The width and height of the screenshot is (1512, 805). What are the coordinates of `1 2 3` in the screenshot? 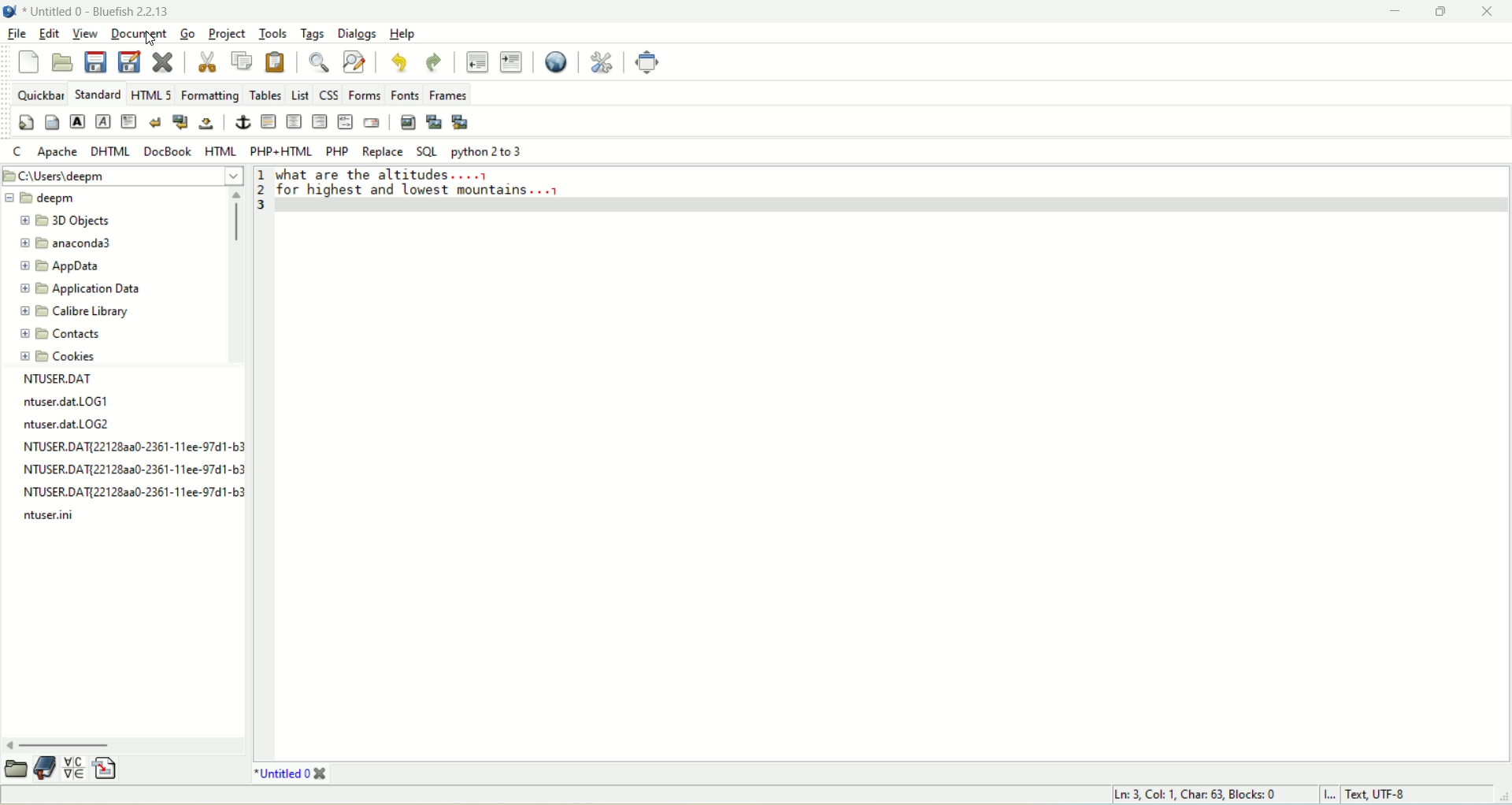 It's located at (265, 187).